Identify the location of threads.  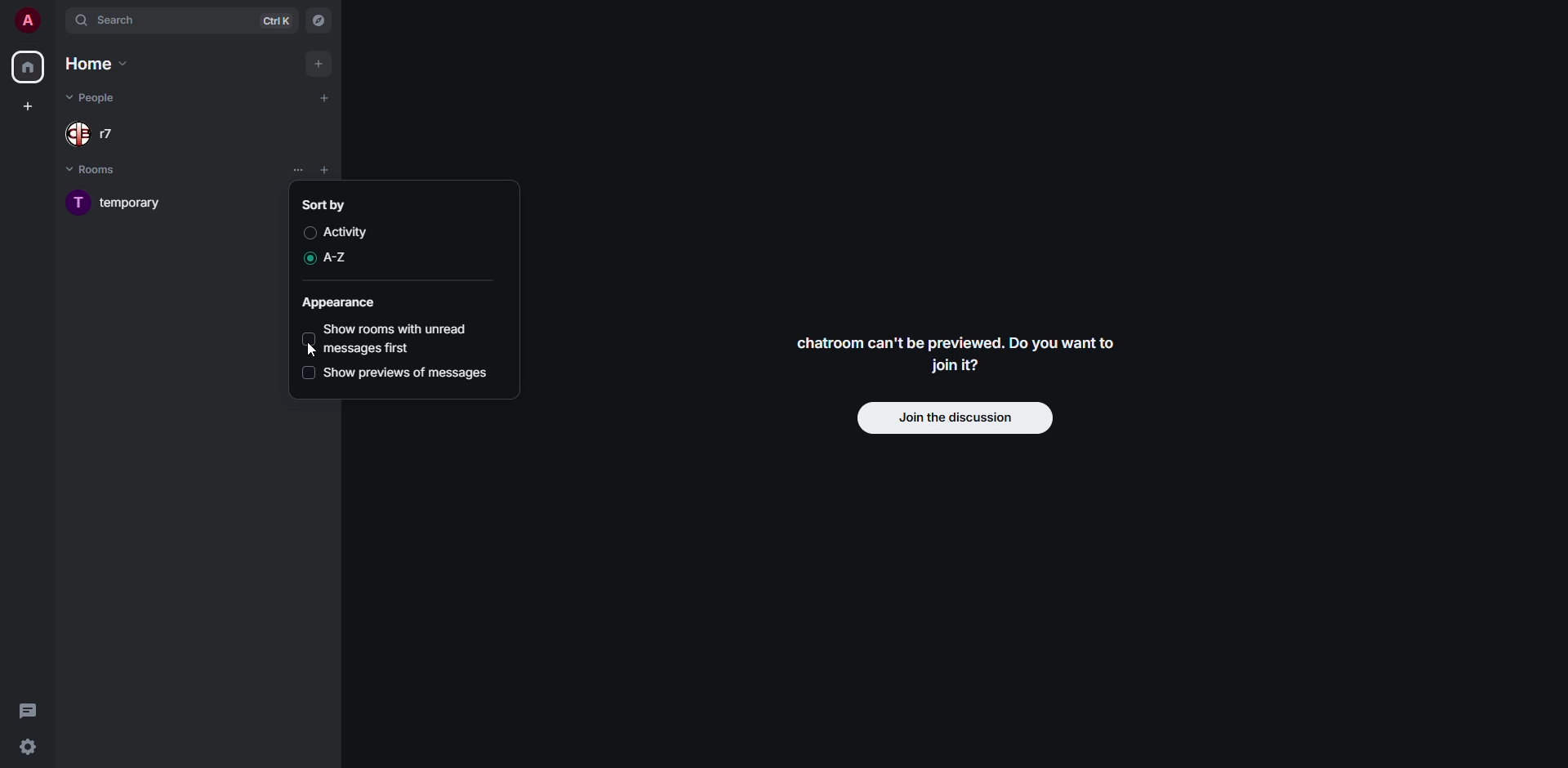
(31, 712).